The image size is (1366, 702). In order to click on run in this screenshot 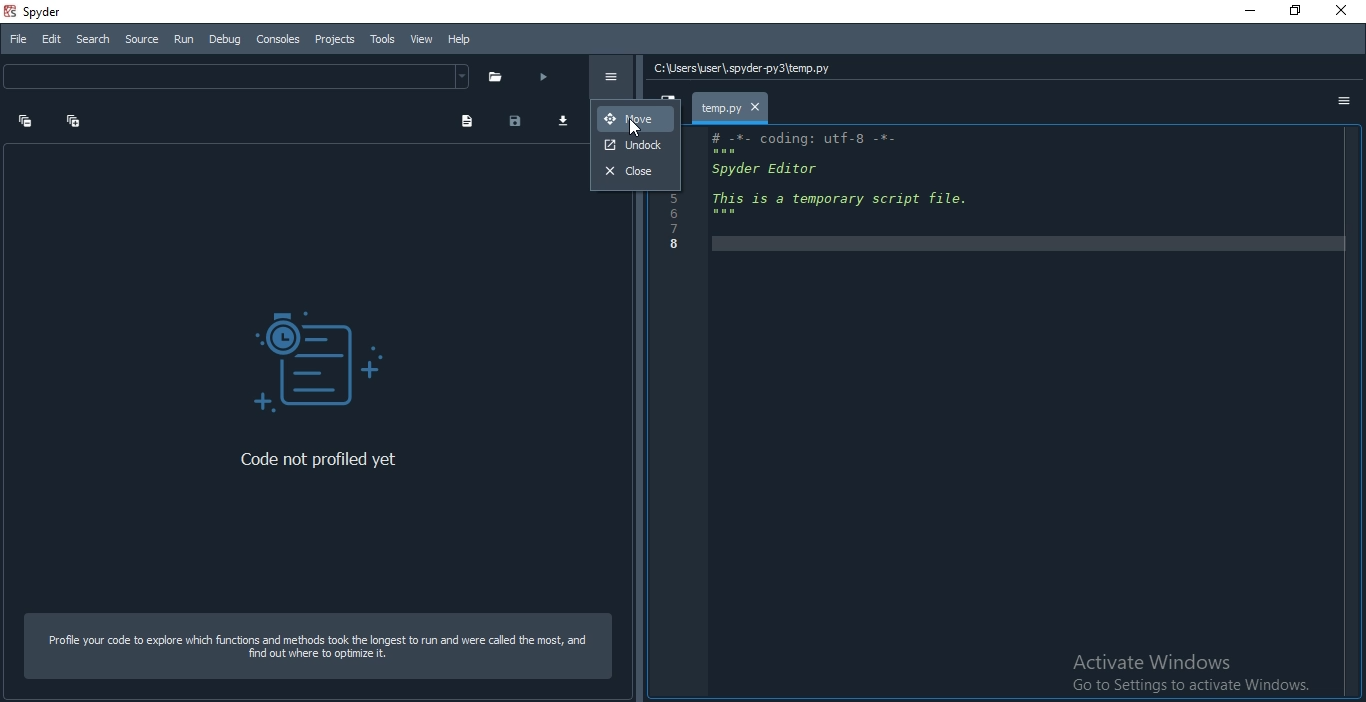, I will do `click(542, 79)`.